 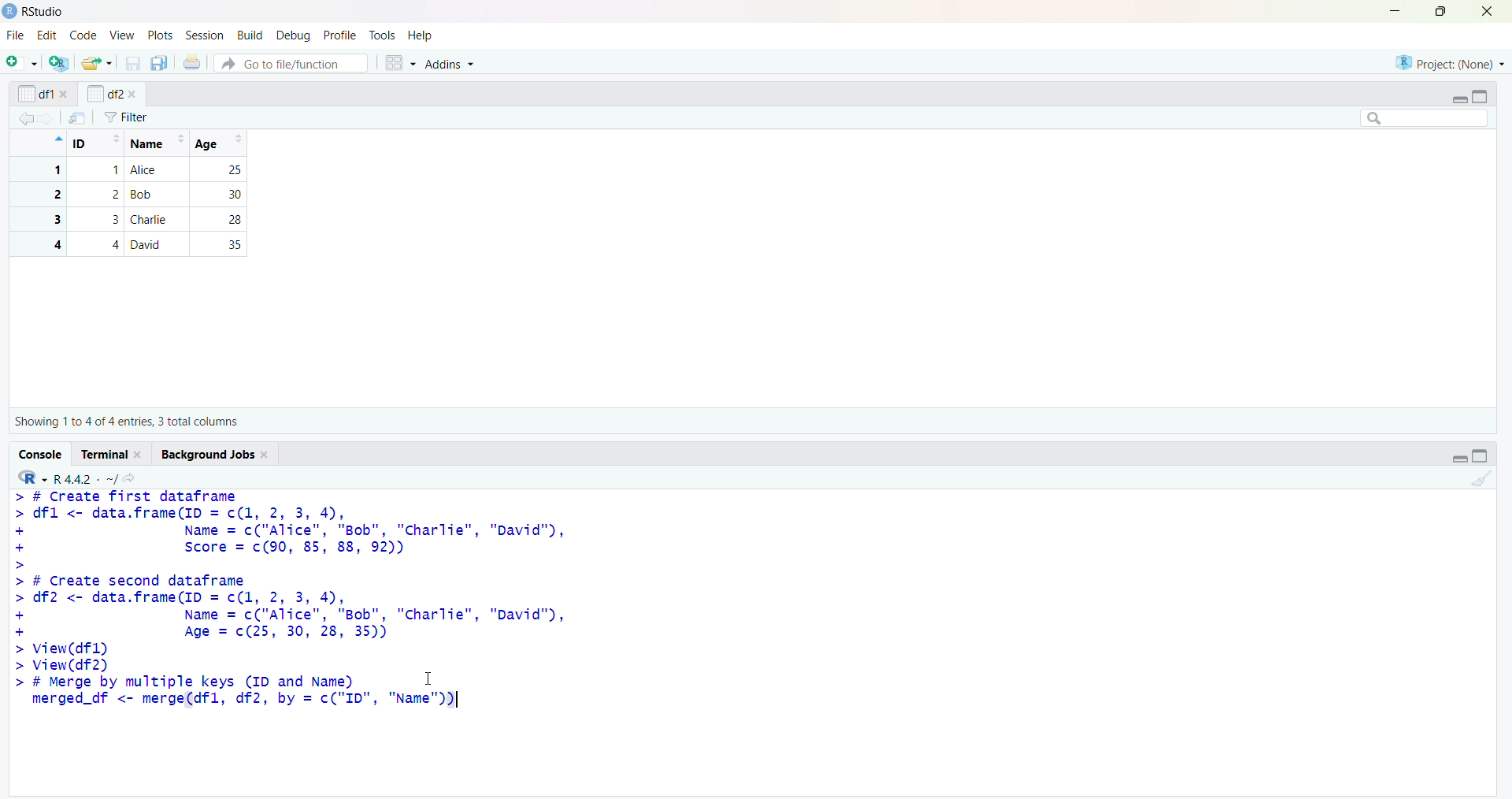 What do you see at coordinates (134, 63) in the screenshot?
I see `save` at bounding box center [134, 63].